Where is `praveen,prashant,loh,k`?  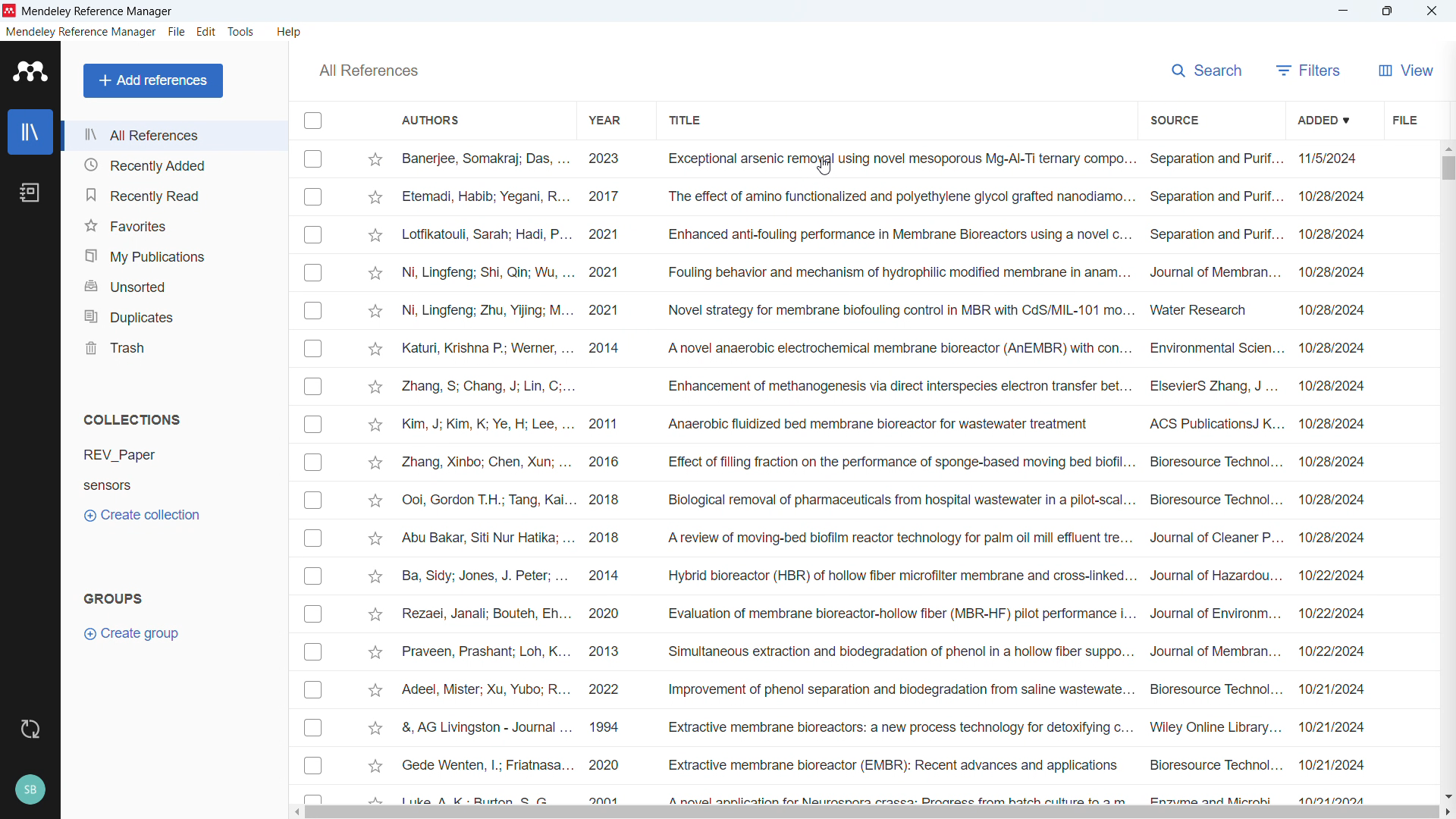
praveen,prashant,loh,k is located at coordinates (486, 653).